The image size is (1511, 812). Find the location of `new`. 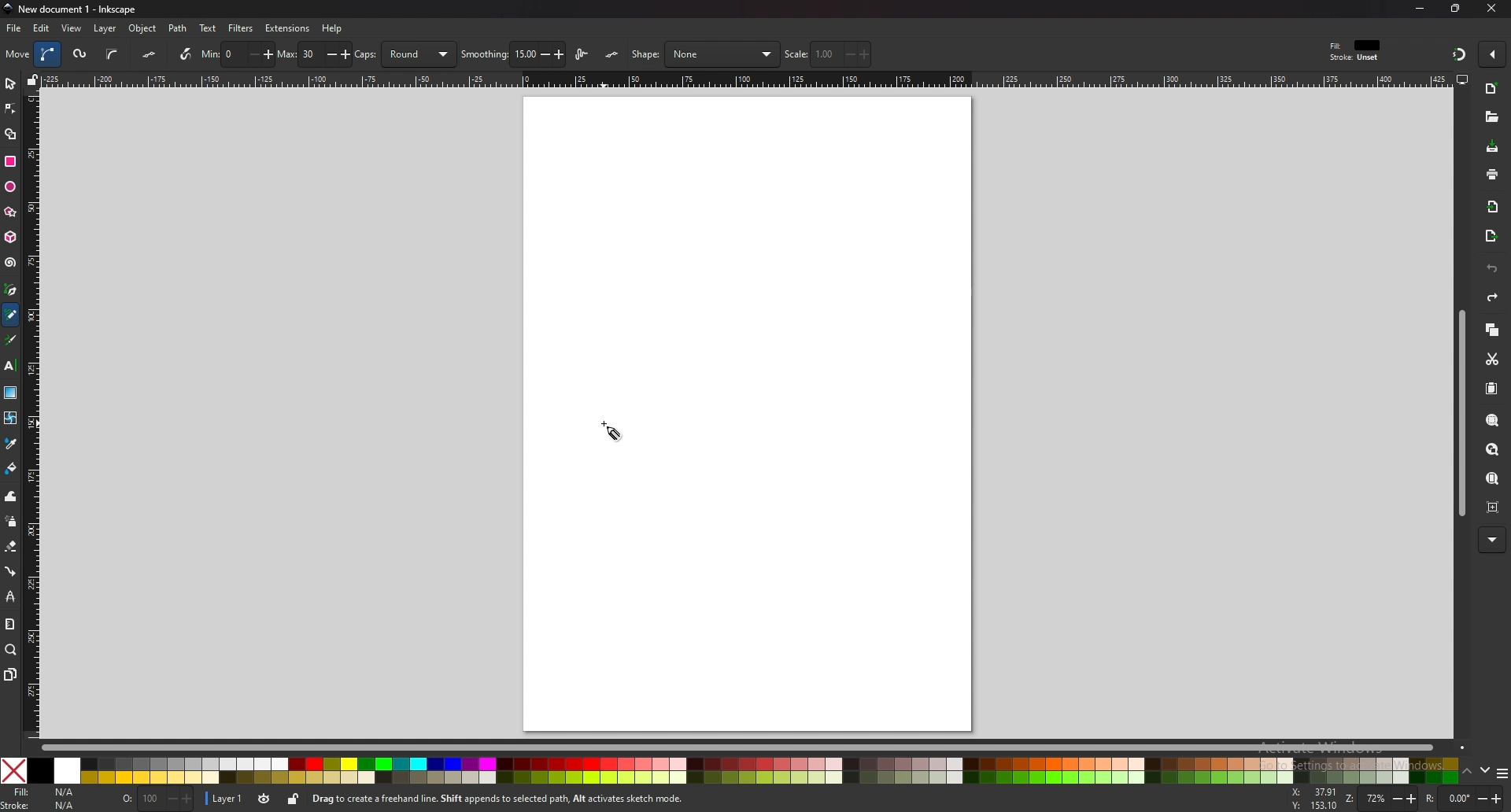

new is located at coordinates (1492, 90).